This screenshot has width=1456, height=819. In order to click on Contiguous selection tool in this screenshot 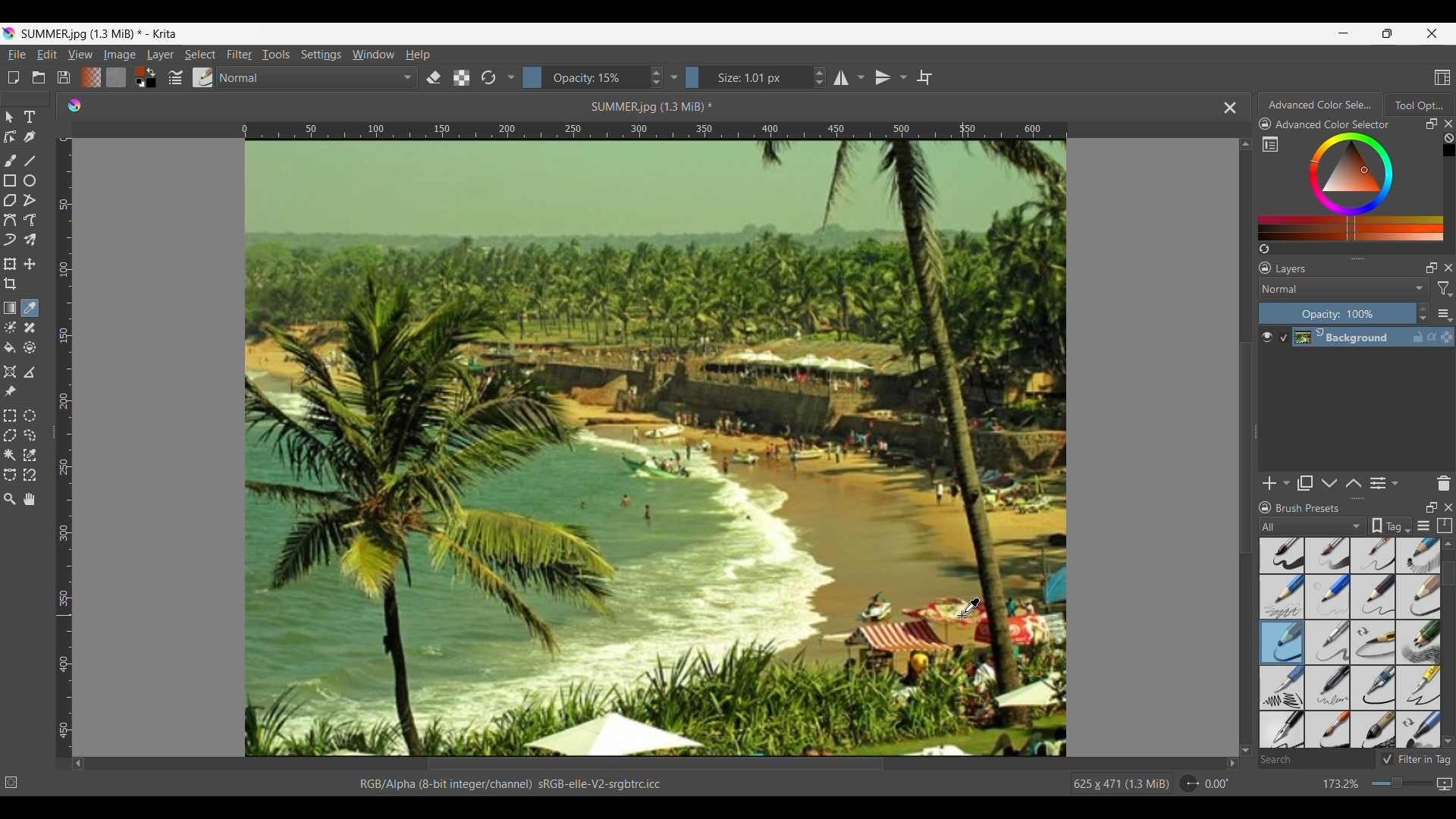, I will do `click(9, 456)`.